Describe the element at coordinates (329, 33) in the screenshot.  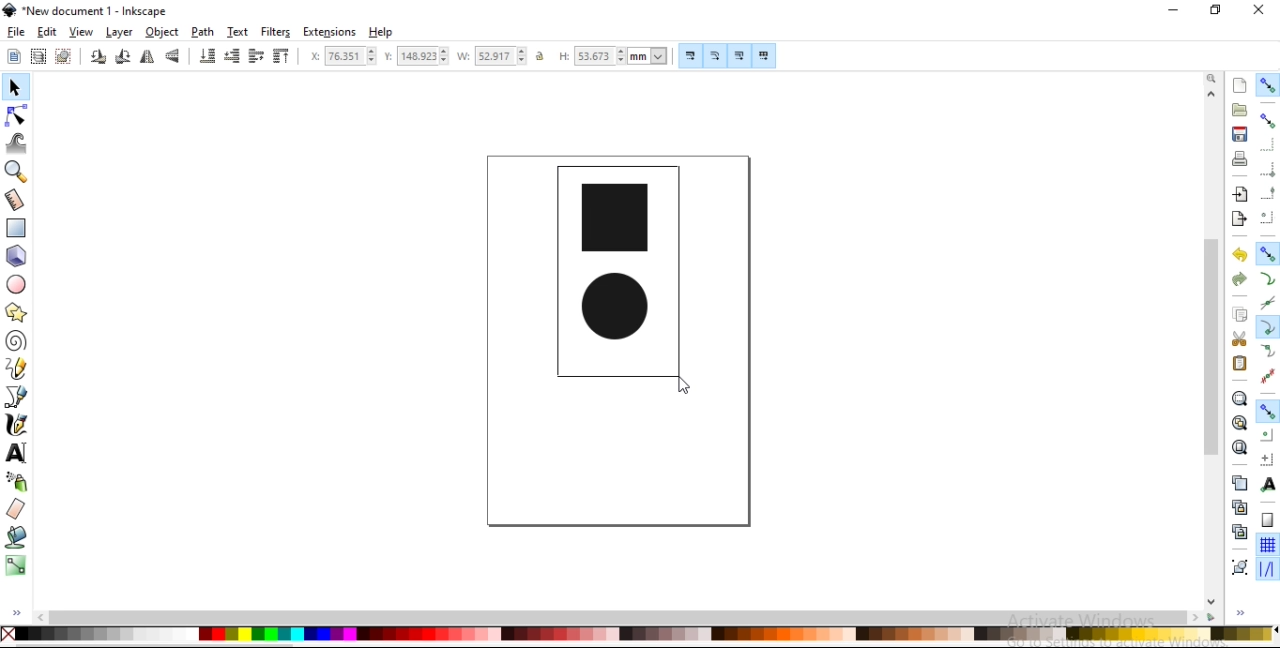
I see `extensions` at that location.